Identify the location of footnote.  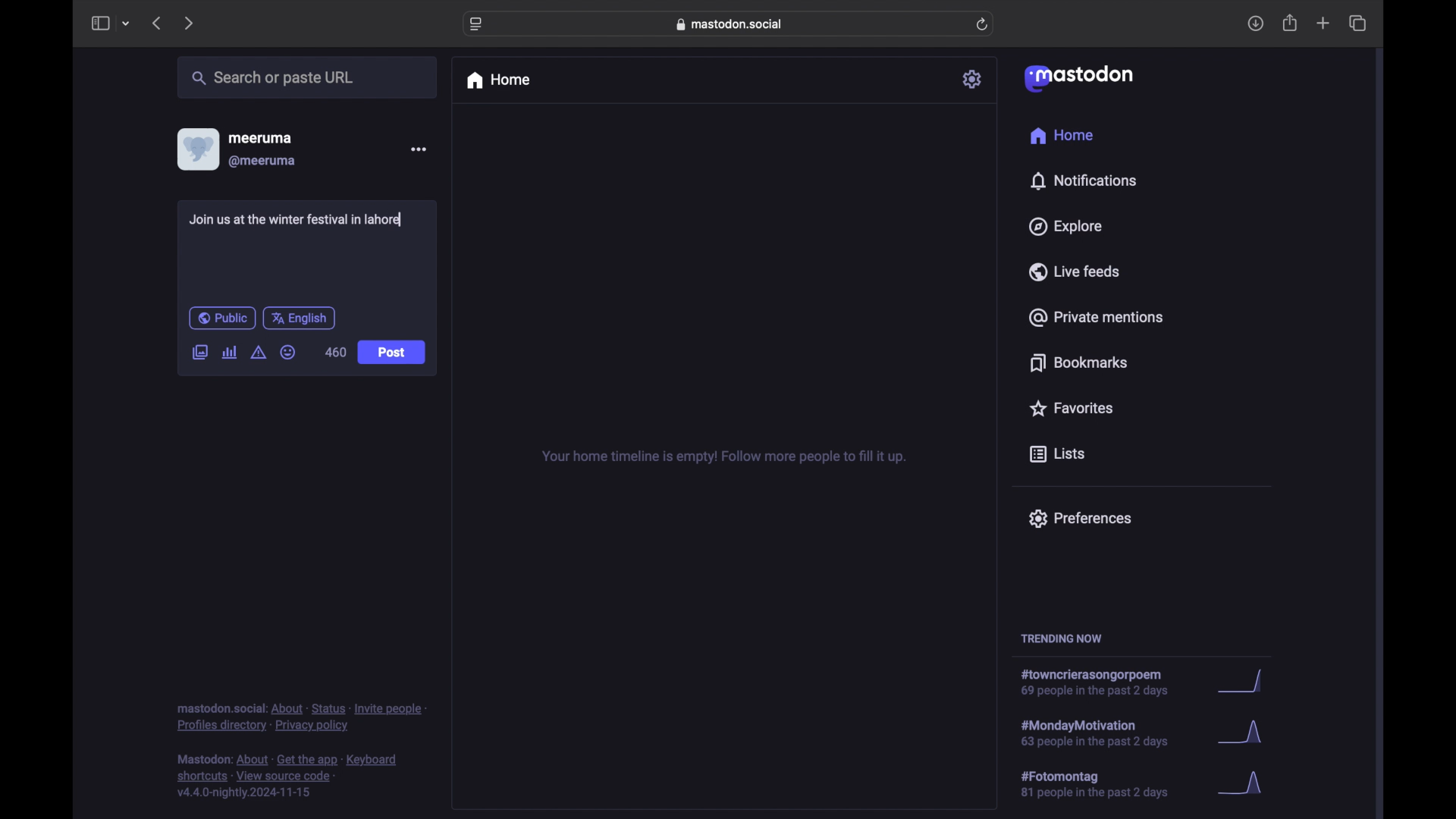
(290, 777).